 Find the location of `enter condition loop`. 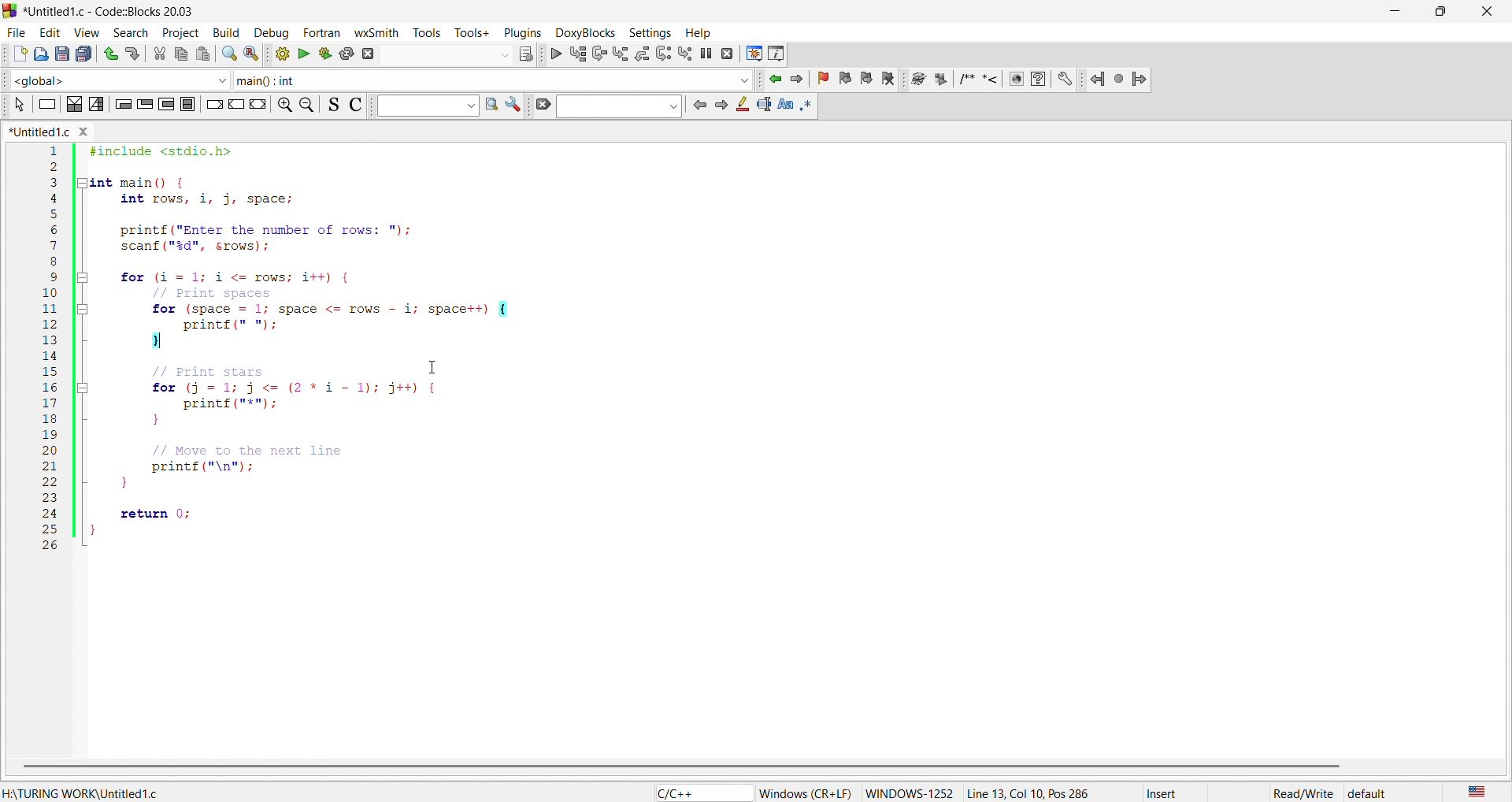

enter condition loop is located at coordinates (122, 104).